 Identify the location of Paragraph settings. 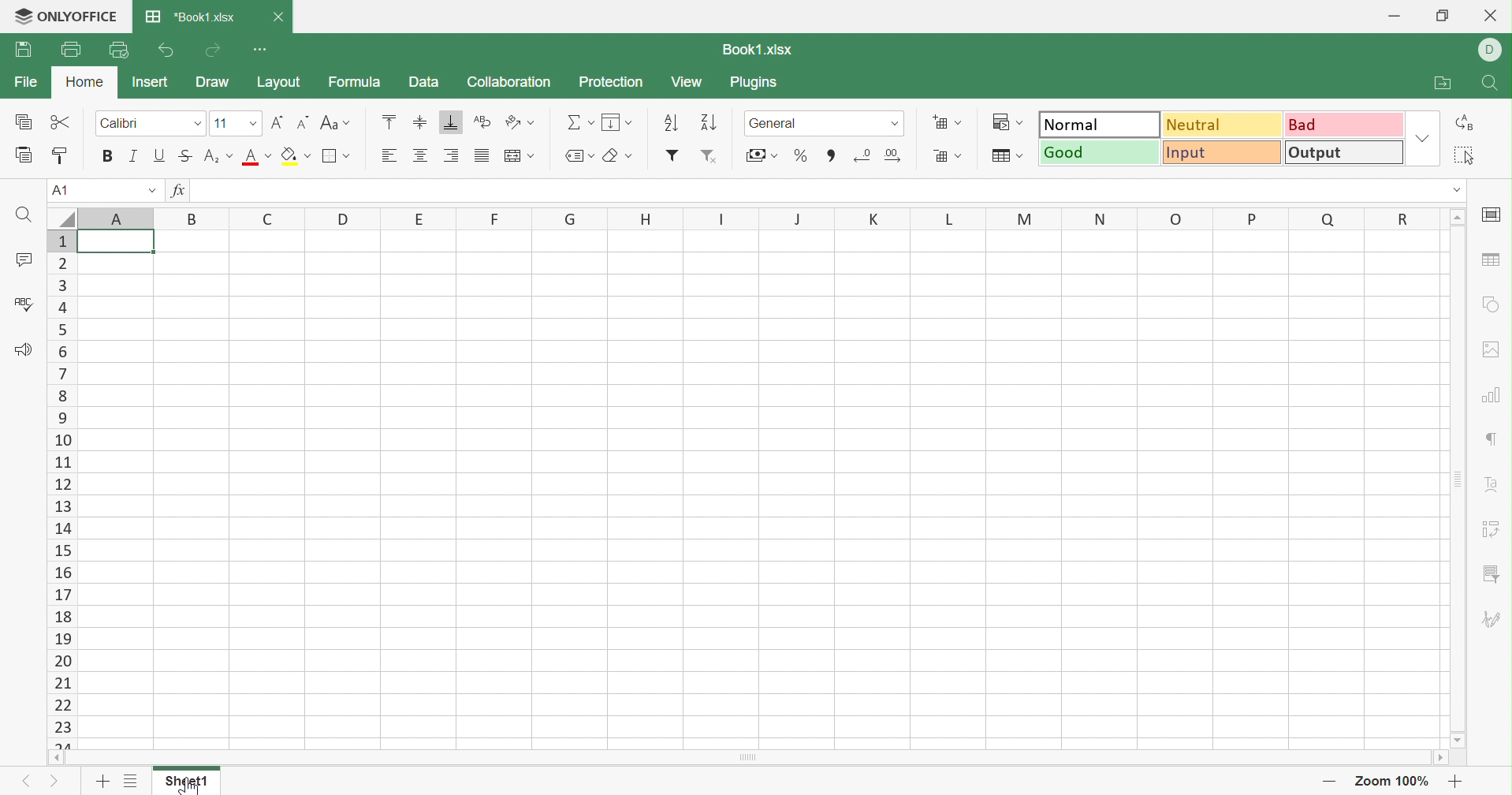
(1491, 437).